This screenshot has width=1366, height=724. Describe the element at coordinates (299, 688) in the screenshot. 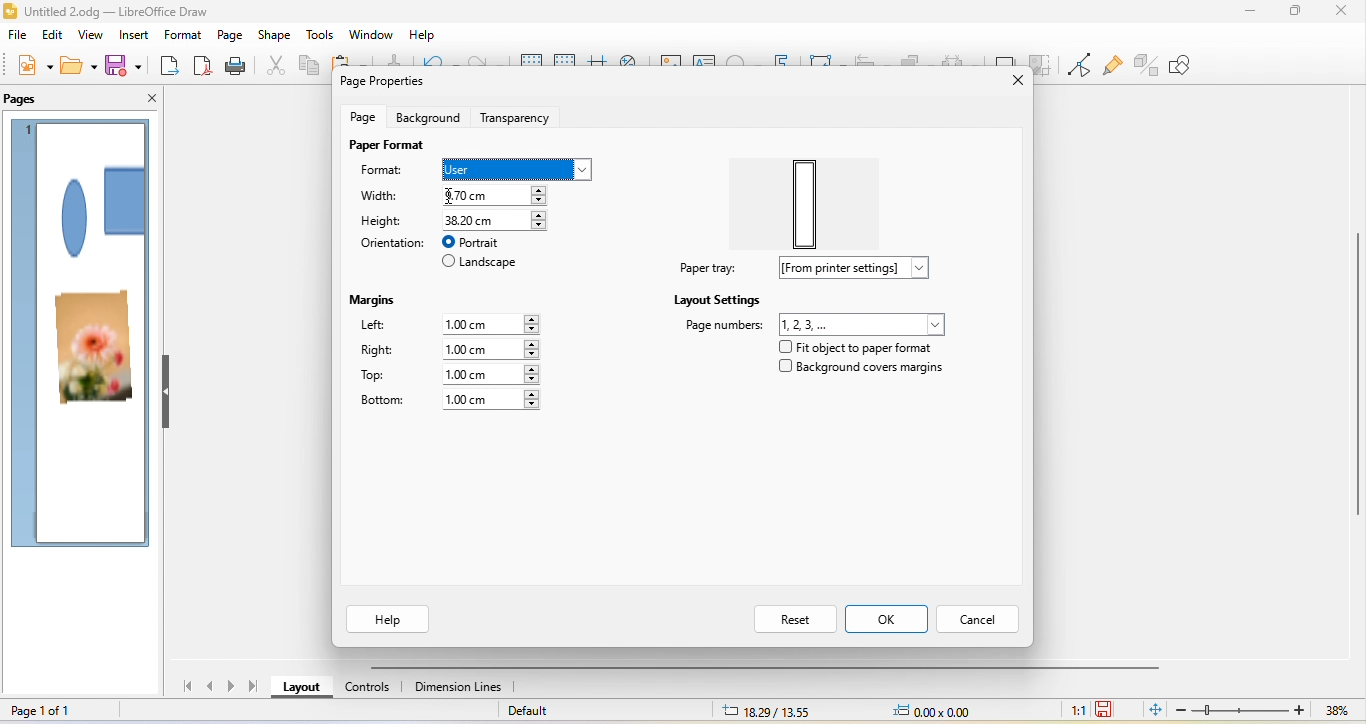

I see `layout` at that location.